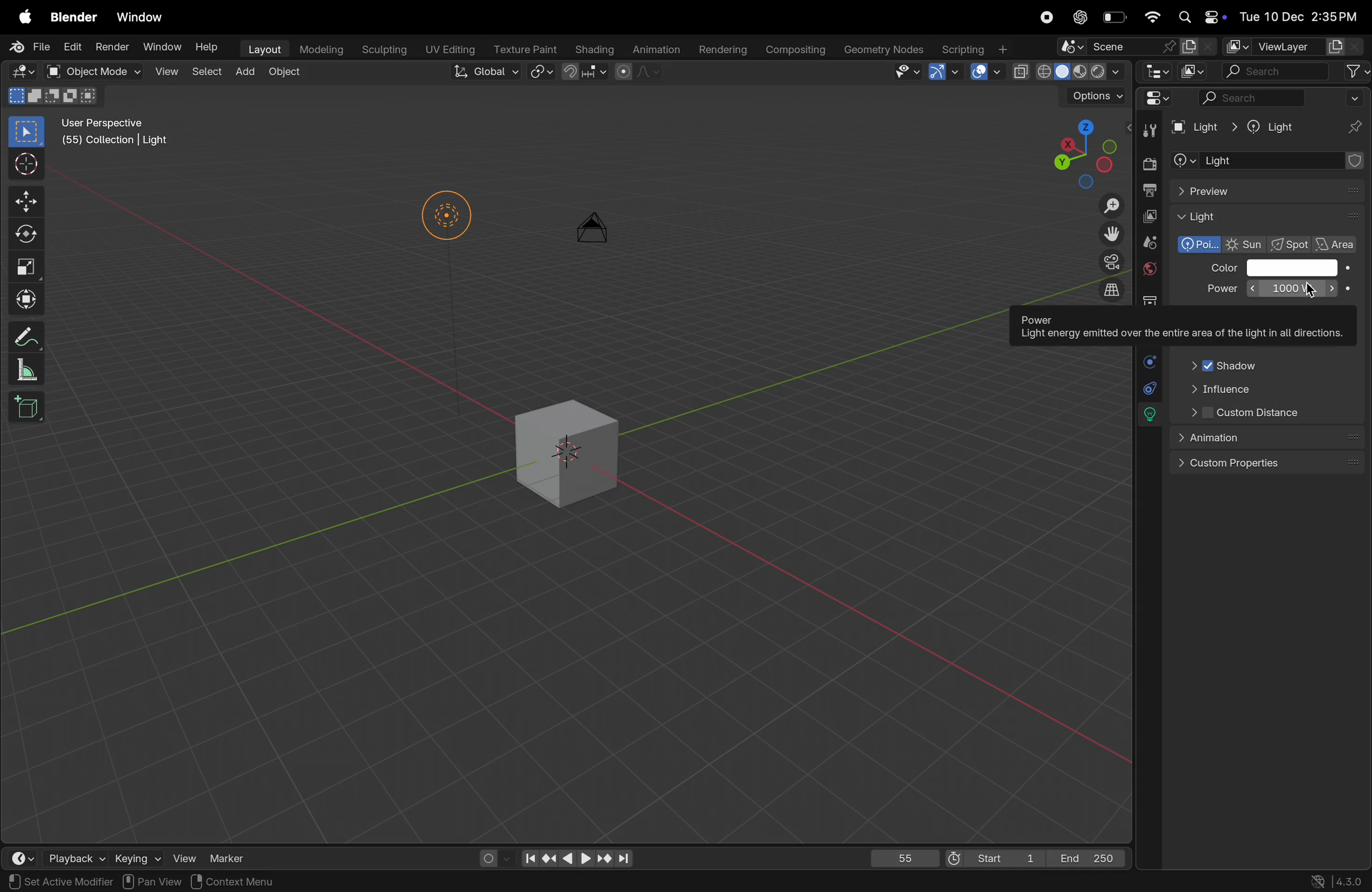 Image resolution: width=1372 pixels, height=892 pixels. Describe the element at coordinates (1198, 245) in the screenshot. I see `polarized` at that location.